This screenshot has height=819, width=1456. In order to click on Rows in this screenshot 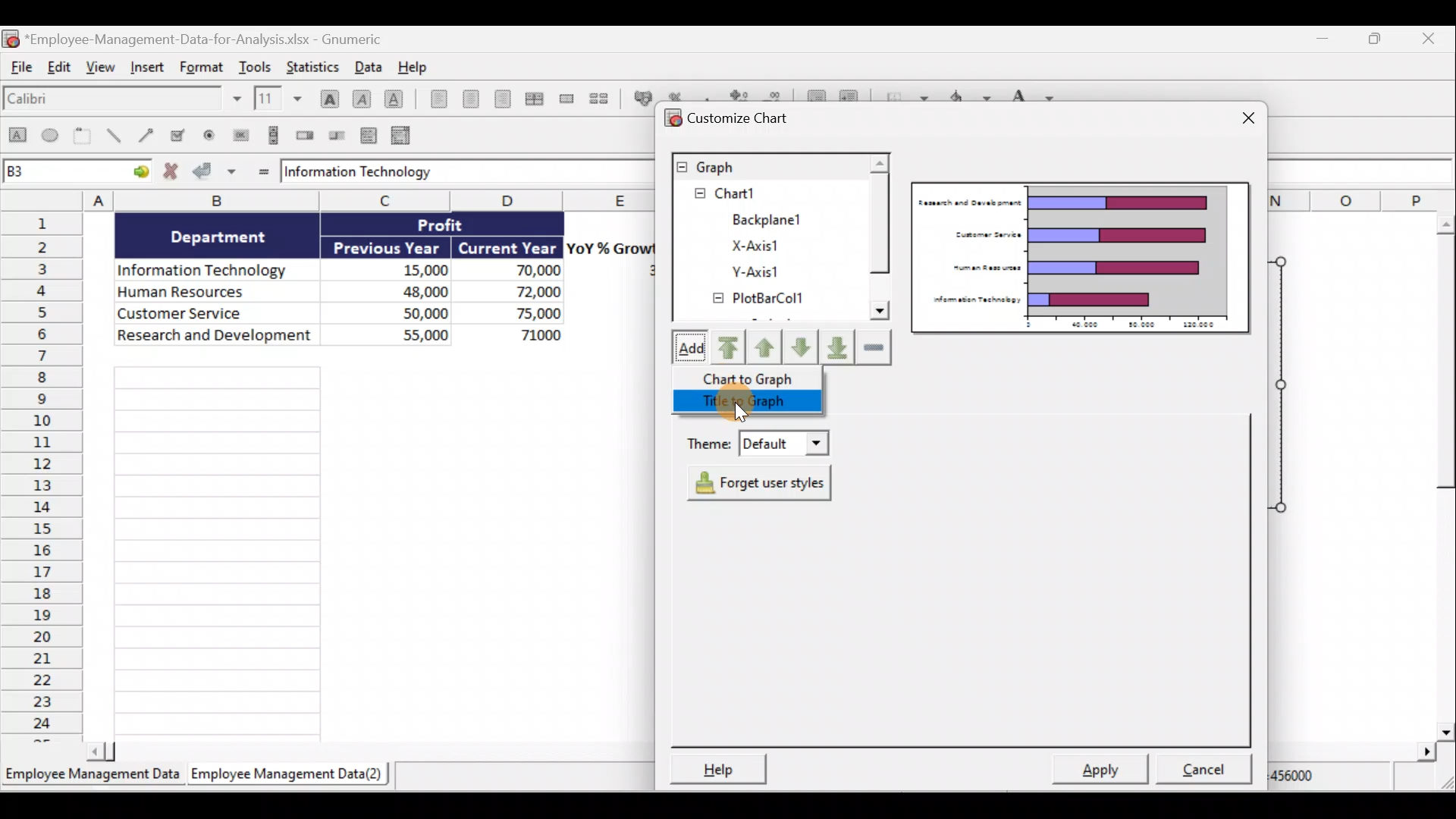, I will do `click(42, 475)`.